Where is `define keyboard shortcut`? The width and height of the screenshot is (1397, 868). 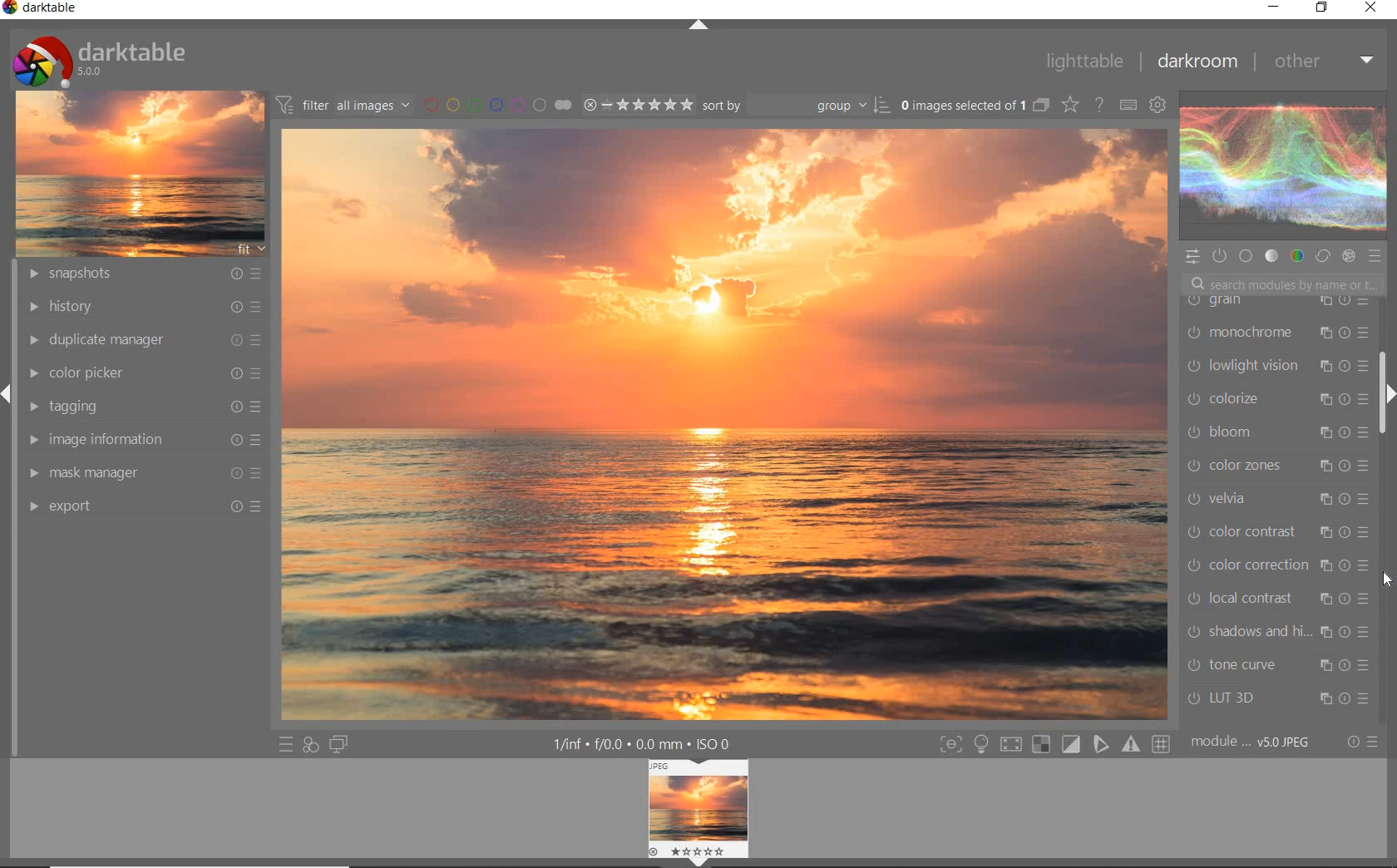
define keyboard shortcut is located at coordinates (1127, 104).